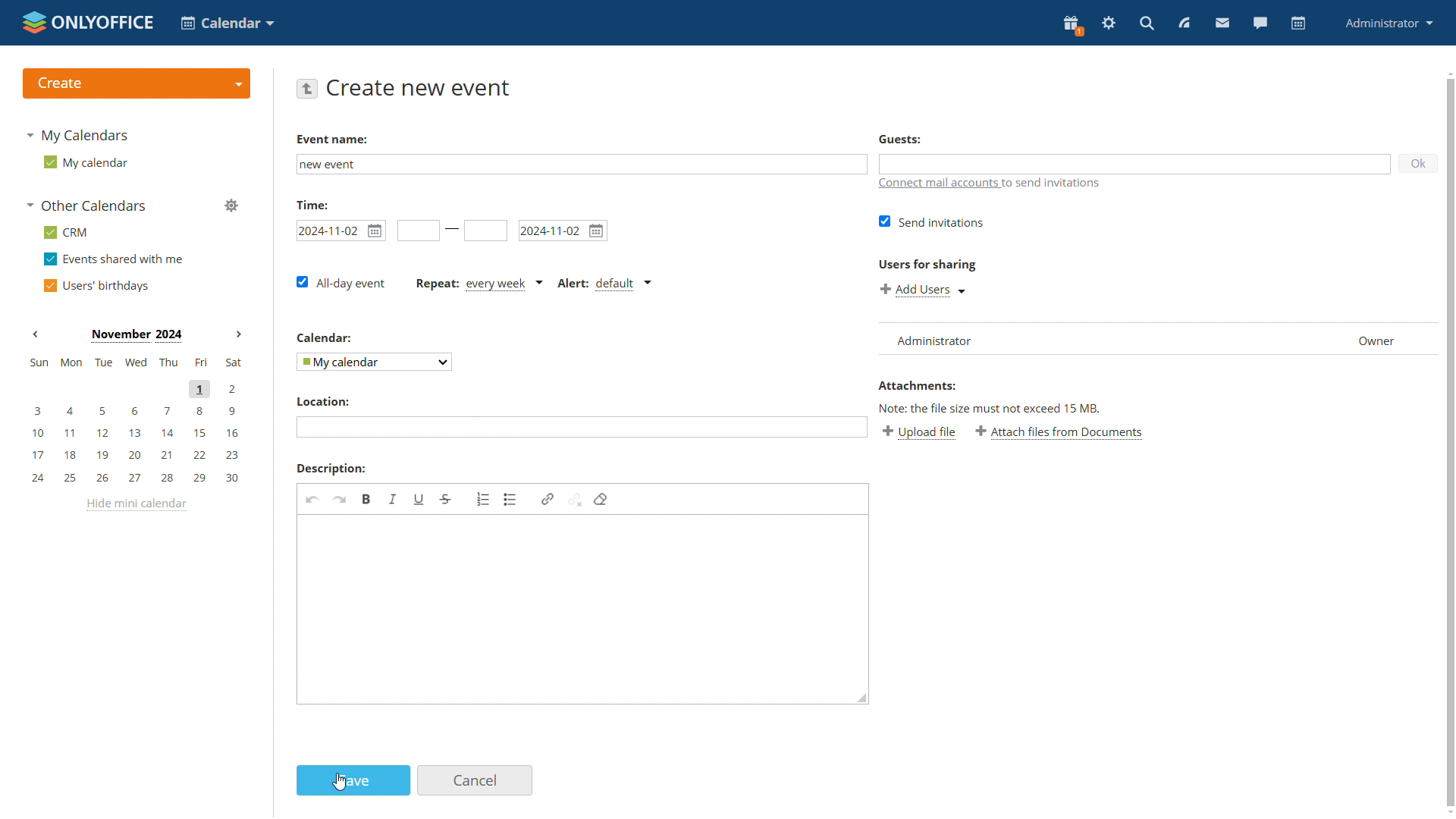 The height and width of the screenshot is (819, 1456). Describe the element at coordinates (1062, 433) in the screenshot. I see `attach files from documents` at that location.